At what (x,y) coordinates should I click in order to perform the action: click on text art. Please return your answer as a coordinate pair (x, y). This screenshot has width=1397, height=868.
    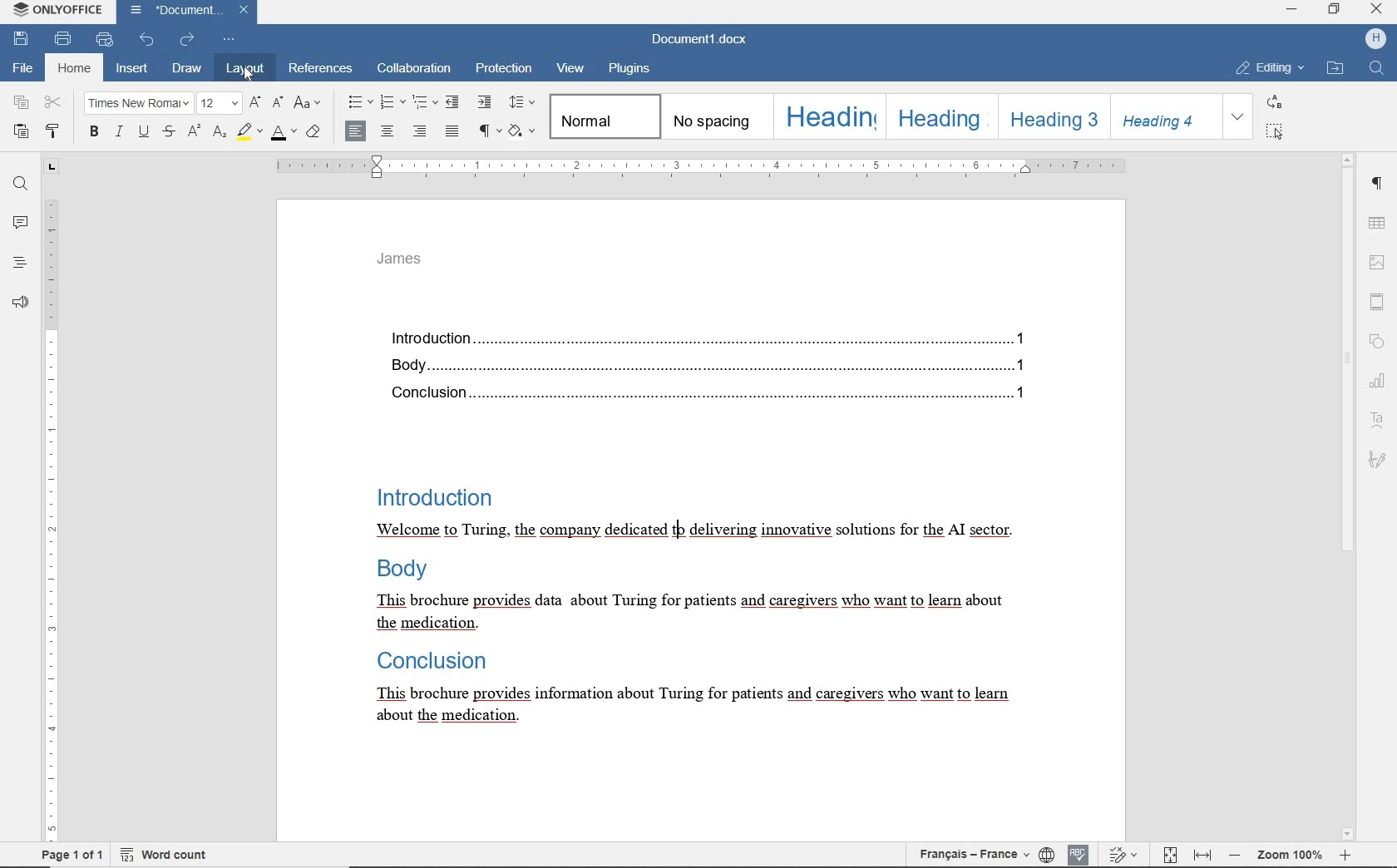
    Looking at the image, I should click on (1378, 420).